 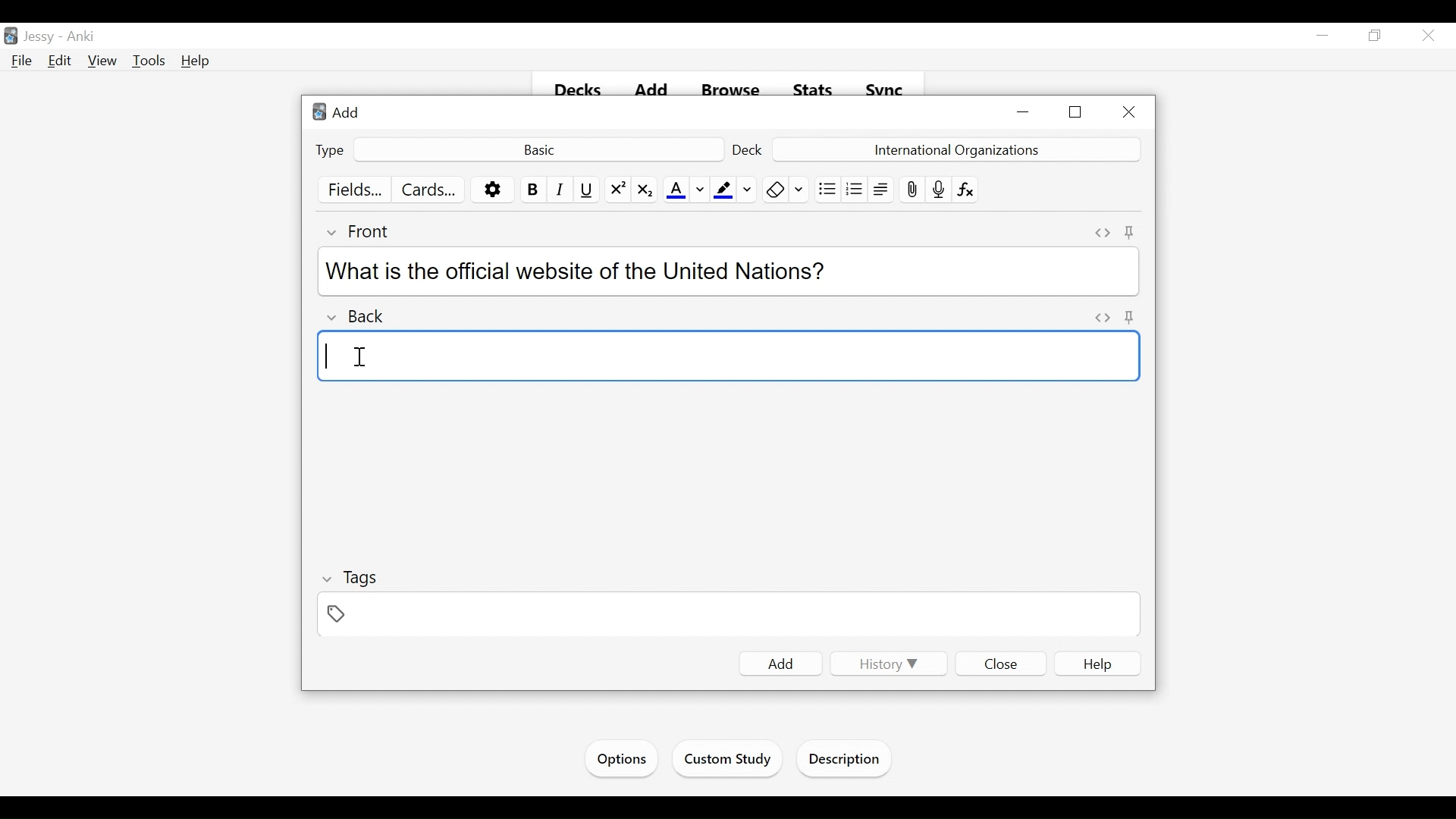 What do you see at coordinates (616, 190) in the screenshot?
I see `Superscript` at bounding box center [616, 190].